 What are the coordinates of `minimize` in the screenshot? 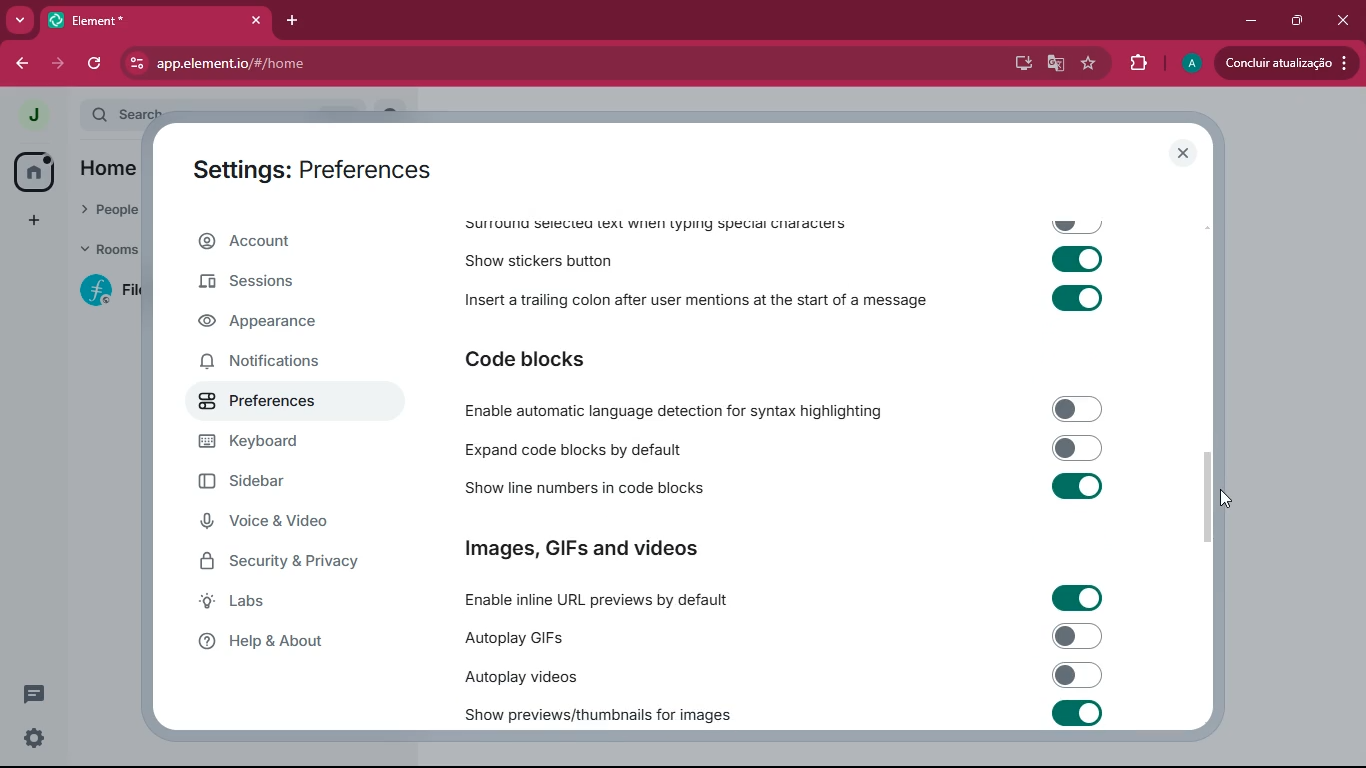 It's located at (1249, 21).